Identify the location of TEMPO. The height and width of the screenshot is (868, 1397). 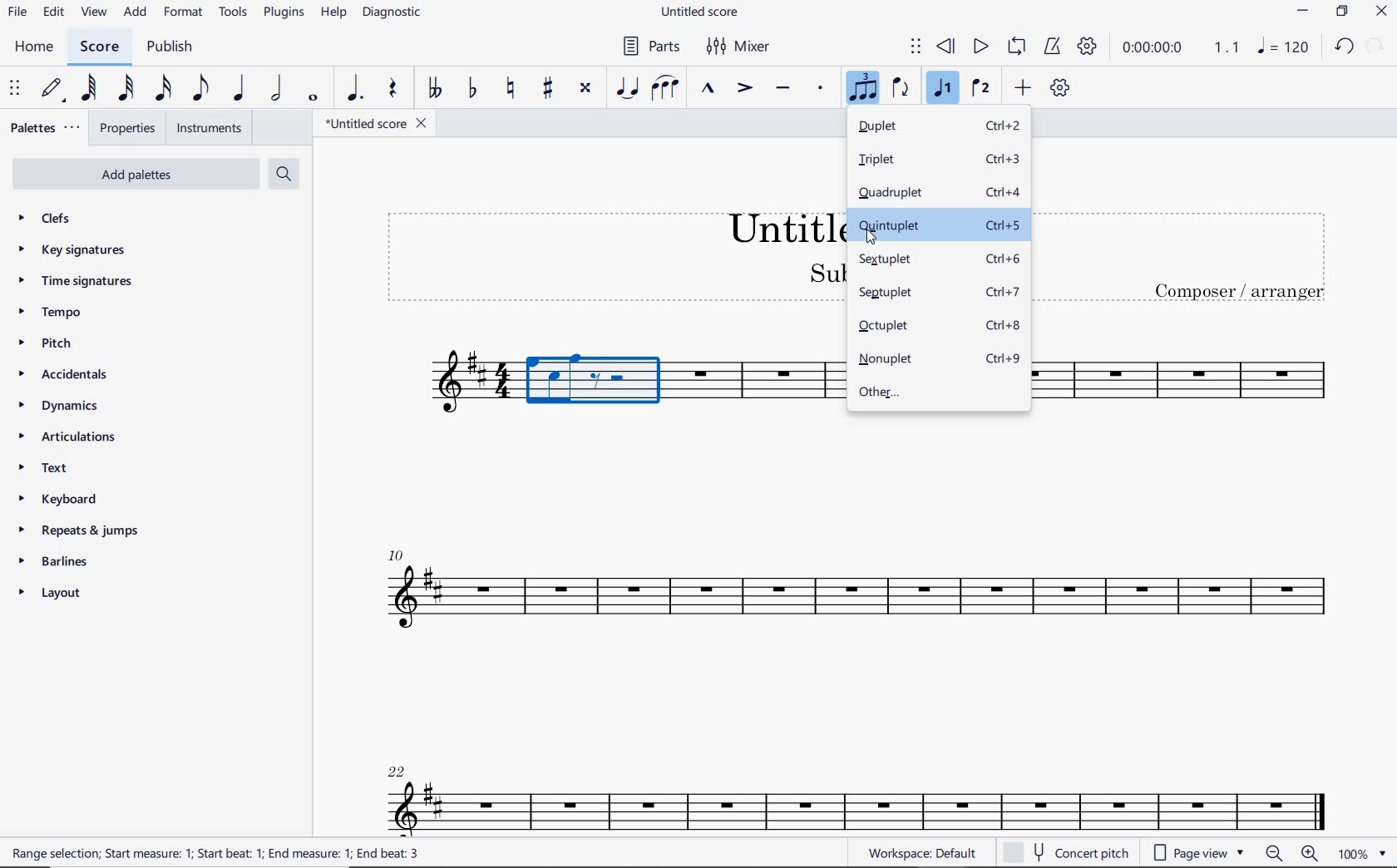
(77, 313).